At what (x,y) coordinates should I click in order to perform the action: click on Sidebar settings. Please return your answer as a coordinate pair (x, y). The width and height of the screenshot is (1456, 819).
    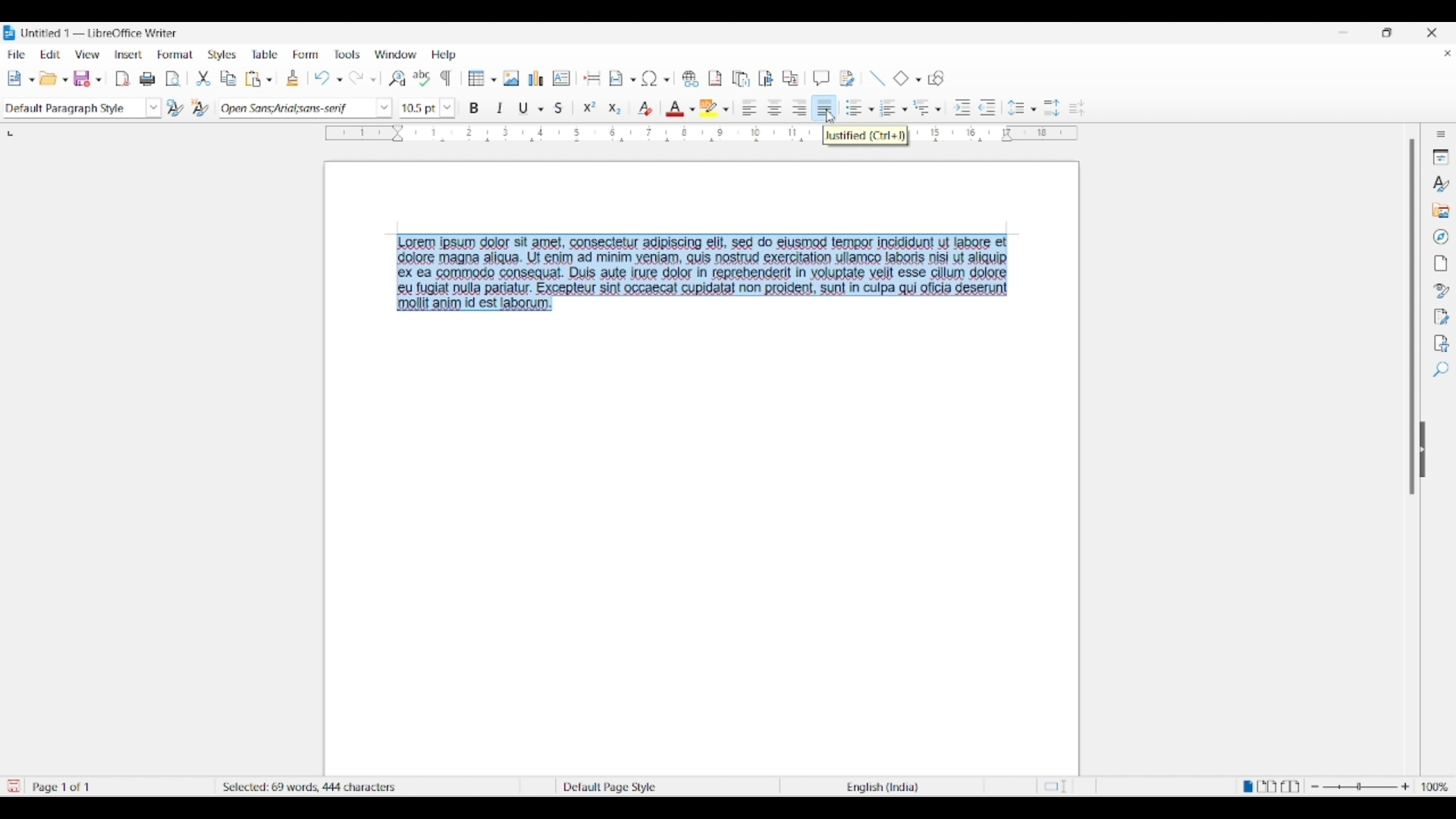
    Looking at the image, I should click on (1441, 134).